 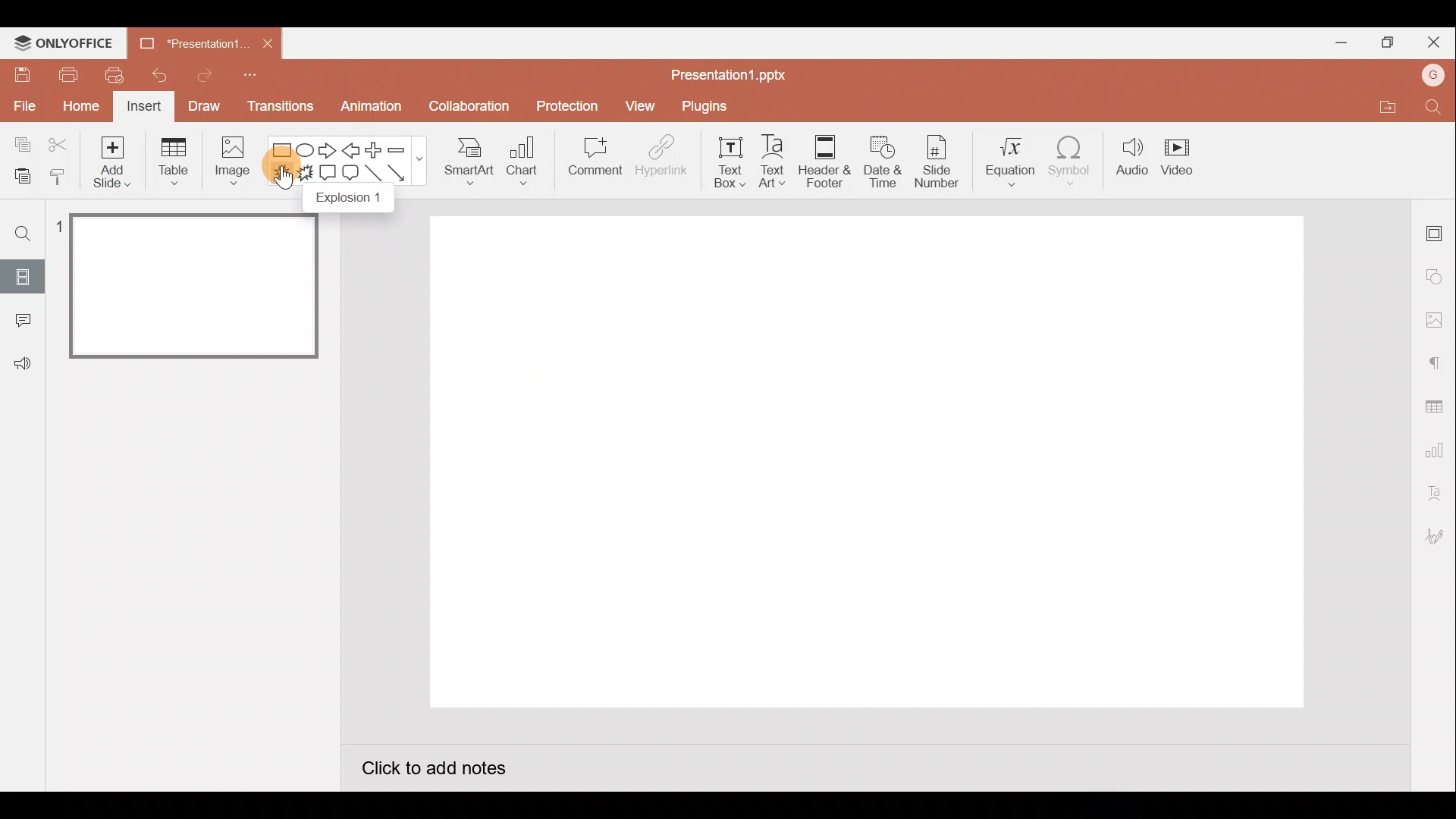 What do you see at coordinates (1436, 229) in the screenshot?
I see `Slide settings` at bounding box center [1436, 229].